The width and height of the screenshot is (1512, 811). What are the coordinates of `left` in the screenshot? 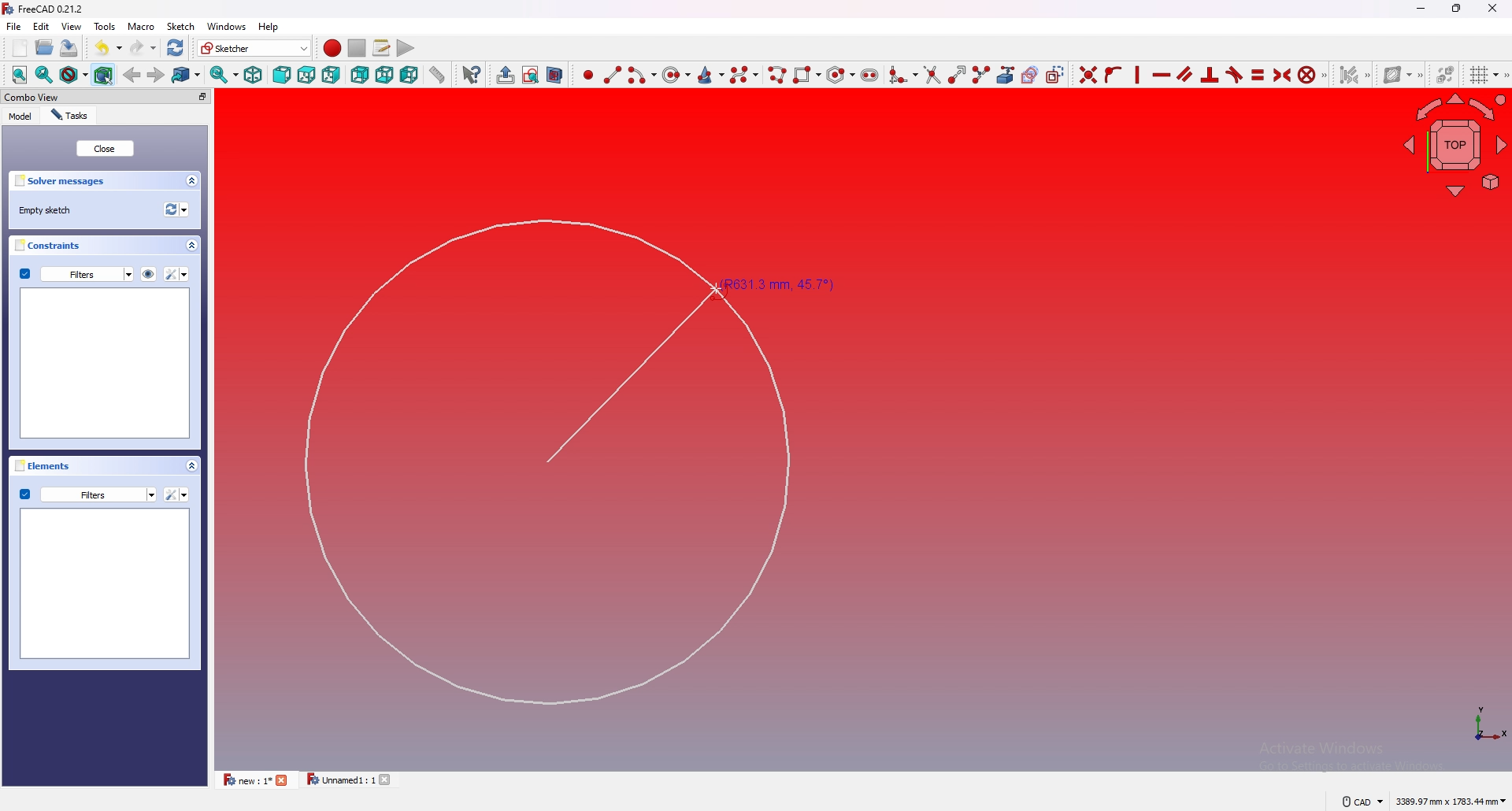 It's located at (411, 75).